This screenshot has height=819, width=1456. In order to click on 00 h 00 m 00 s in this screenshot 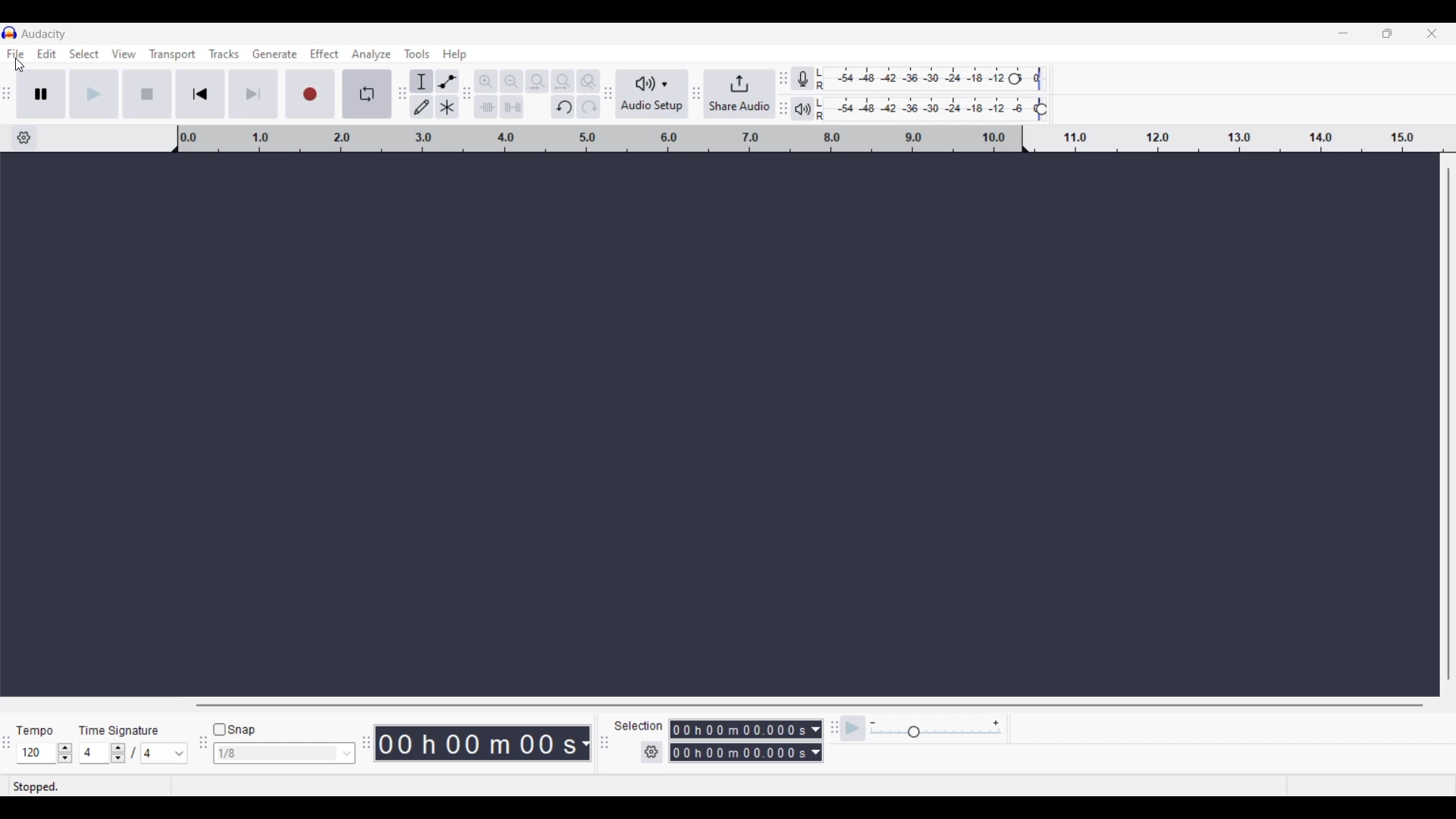, I will do `click(485, 744)`.